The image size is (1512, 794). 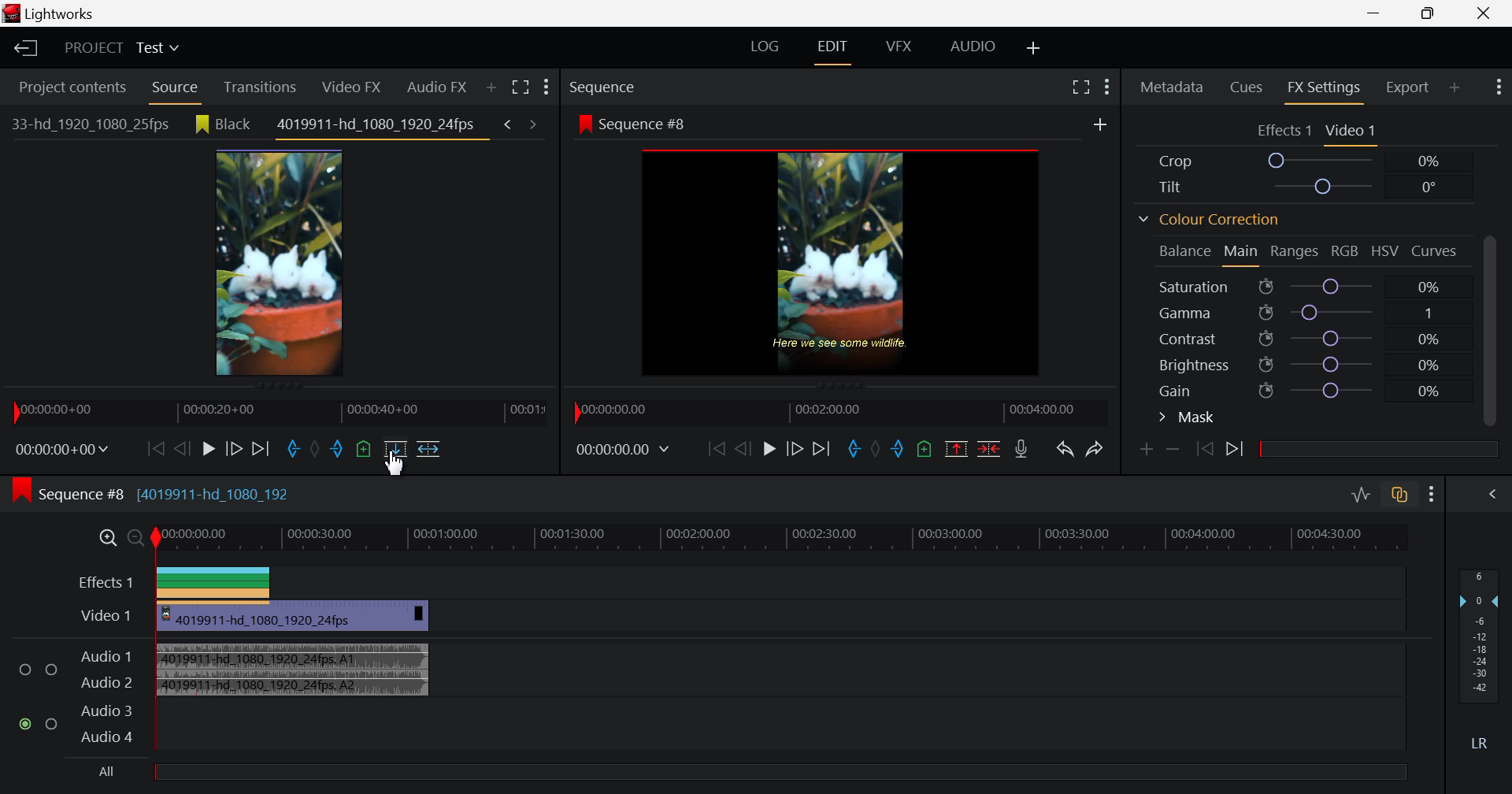 What do you see at coordinates (1147, 451) in the screenshot?
I see `Add keyframe` at bounding box center [1147, 451].